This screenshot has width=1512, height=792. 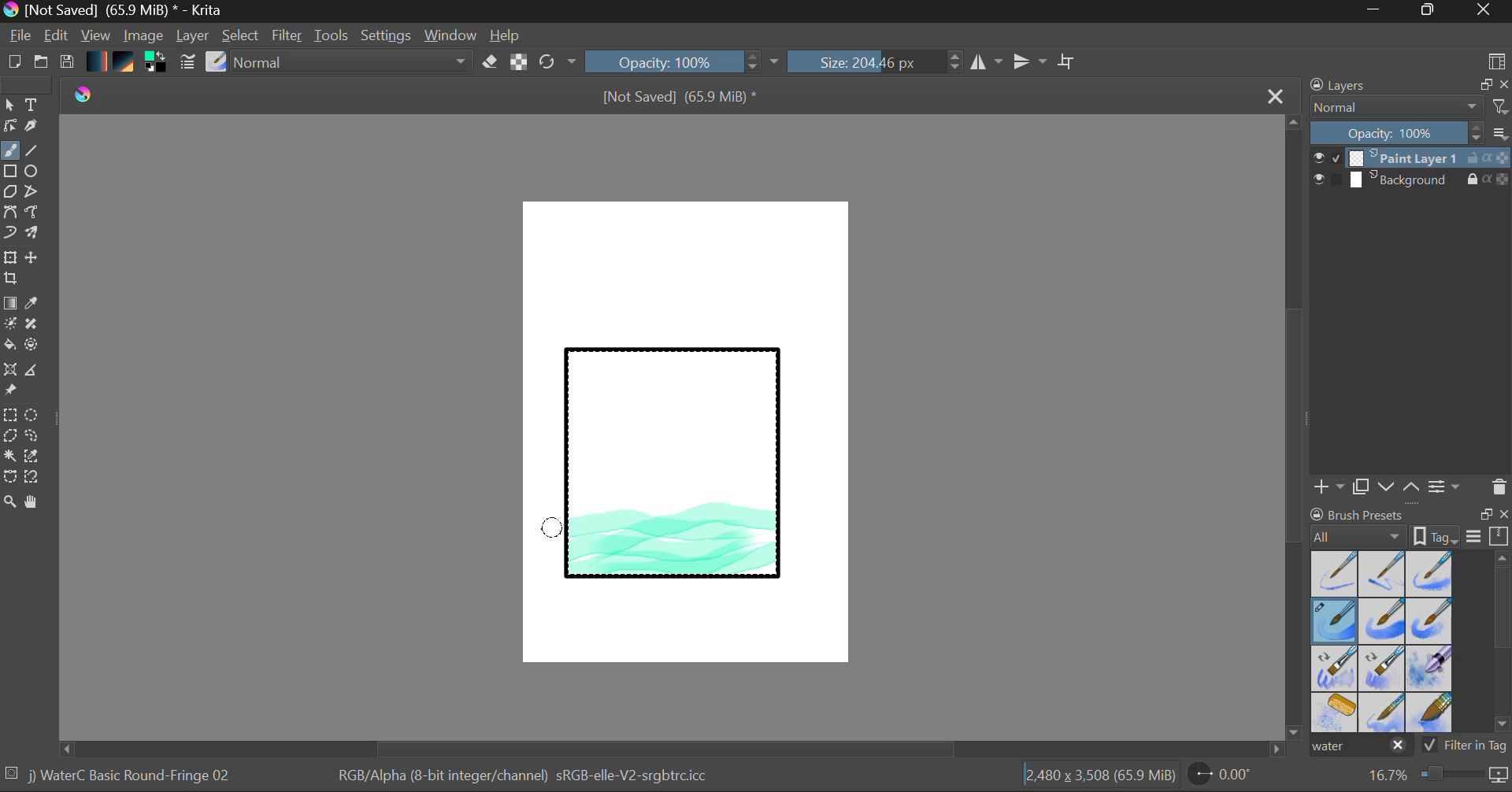 I want to click on Layer Opacity, so click(x=1412, y=134).